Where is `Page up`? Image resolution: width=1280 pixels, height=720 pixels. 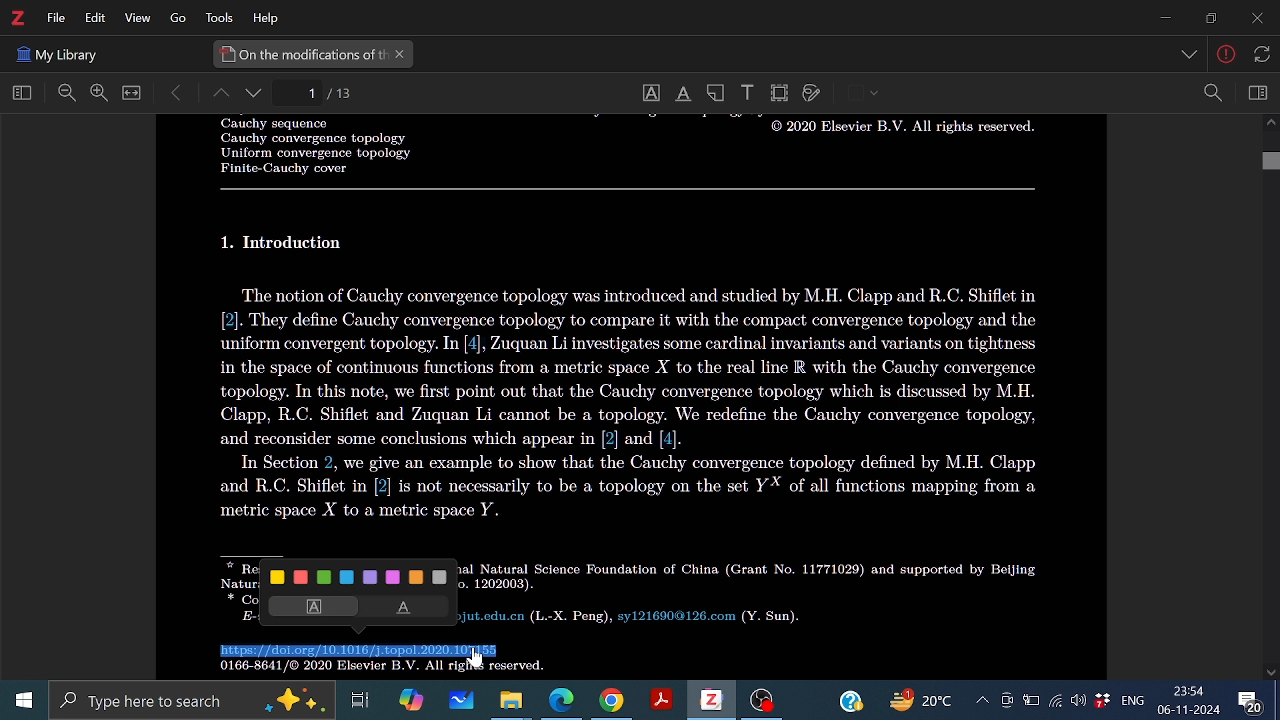
Page up is located at coordinates (219, 95).